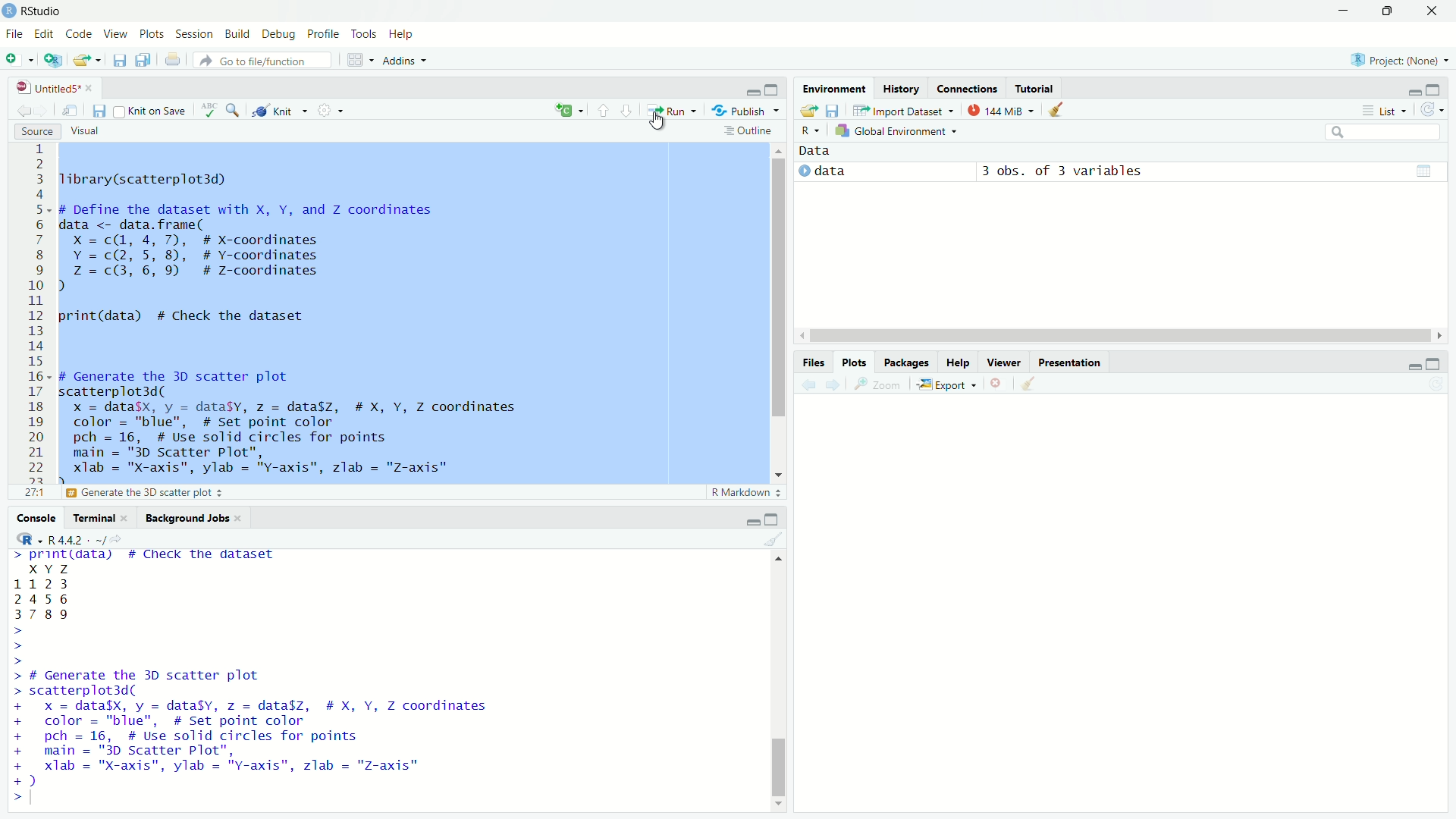 Image resolution: width=1456 pixels, height=819 pixels. What do you see at coordinates (17, 60) in the screenshot?
I see `new file` at bounding box center [17, 60].